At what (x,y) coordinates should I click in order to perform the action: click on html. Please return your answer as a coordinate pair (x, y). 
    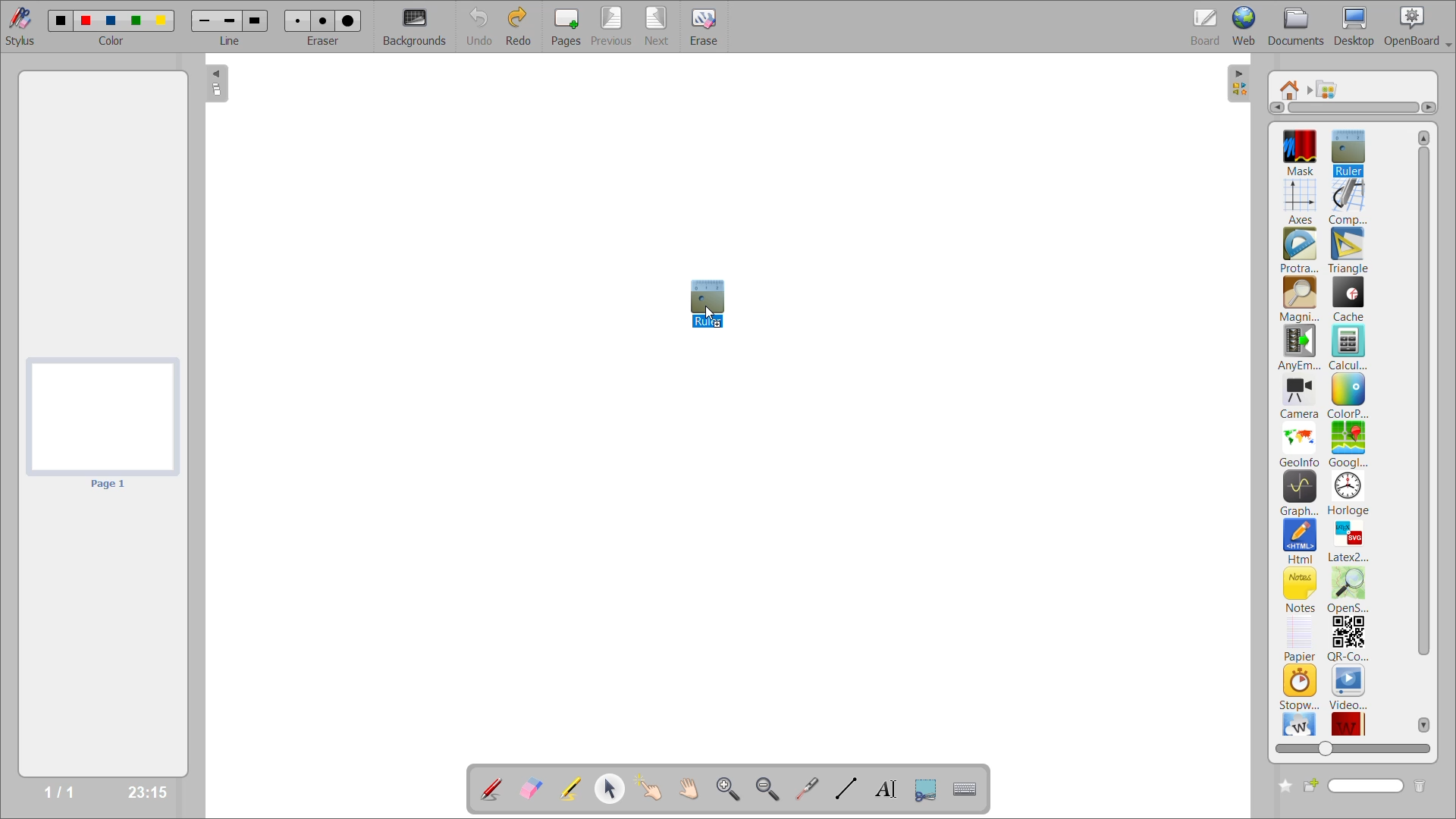
    Looking at the image, I should click on (1301, 542).